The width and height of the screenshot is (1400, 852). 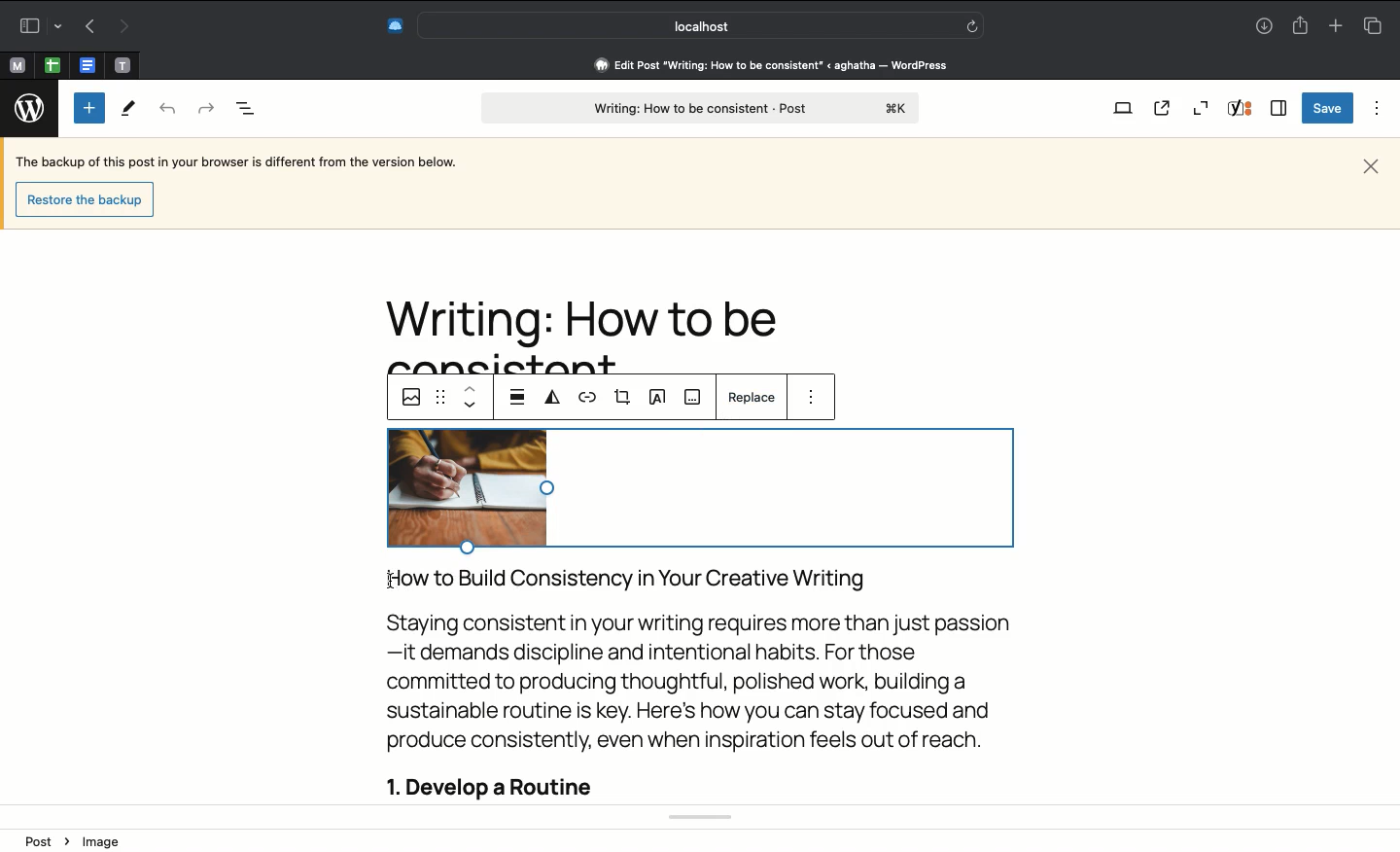 I want to click on Duotone filter, so click(x=552, y=397).